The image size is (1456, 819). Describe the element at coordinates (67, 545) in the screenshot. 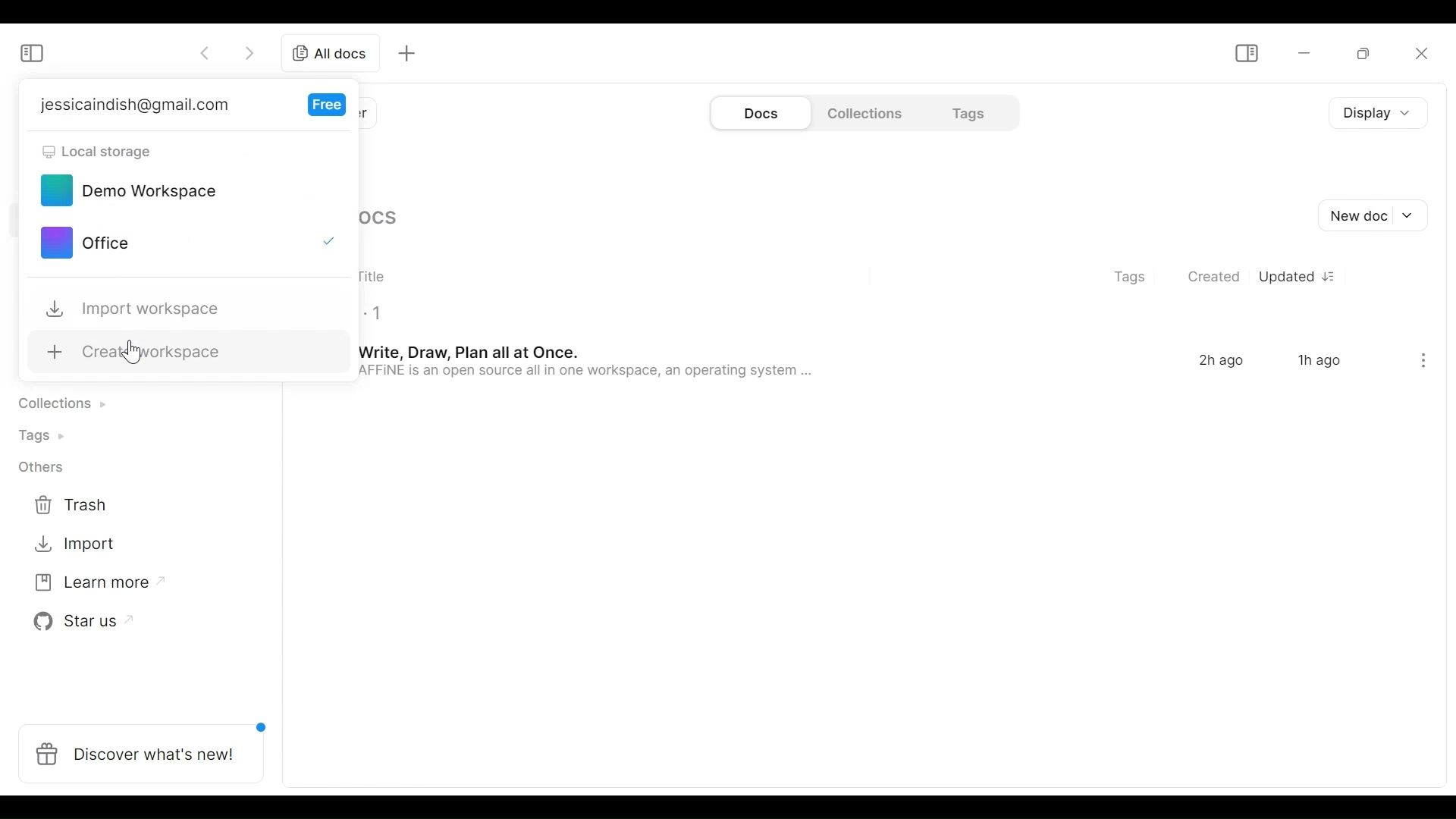

I see `Import` at that location.